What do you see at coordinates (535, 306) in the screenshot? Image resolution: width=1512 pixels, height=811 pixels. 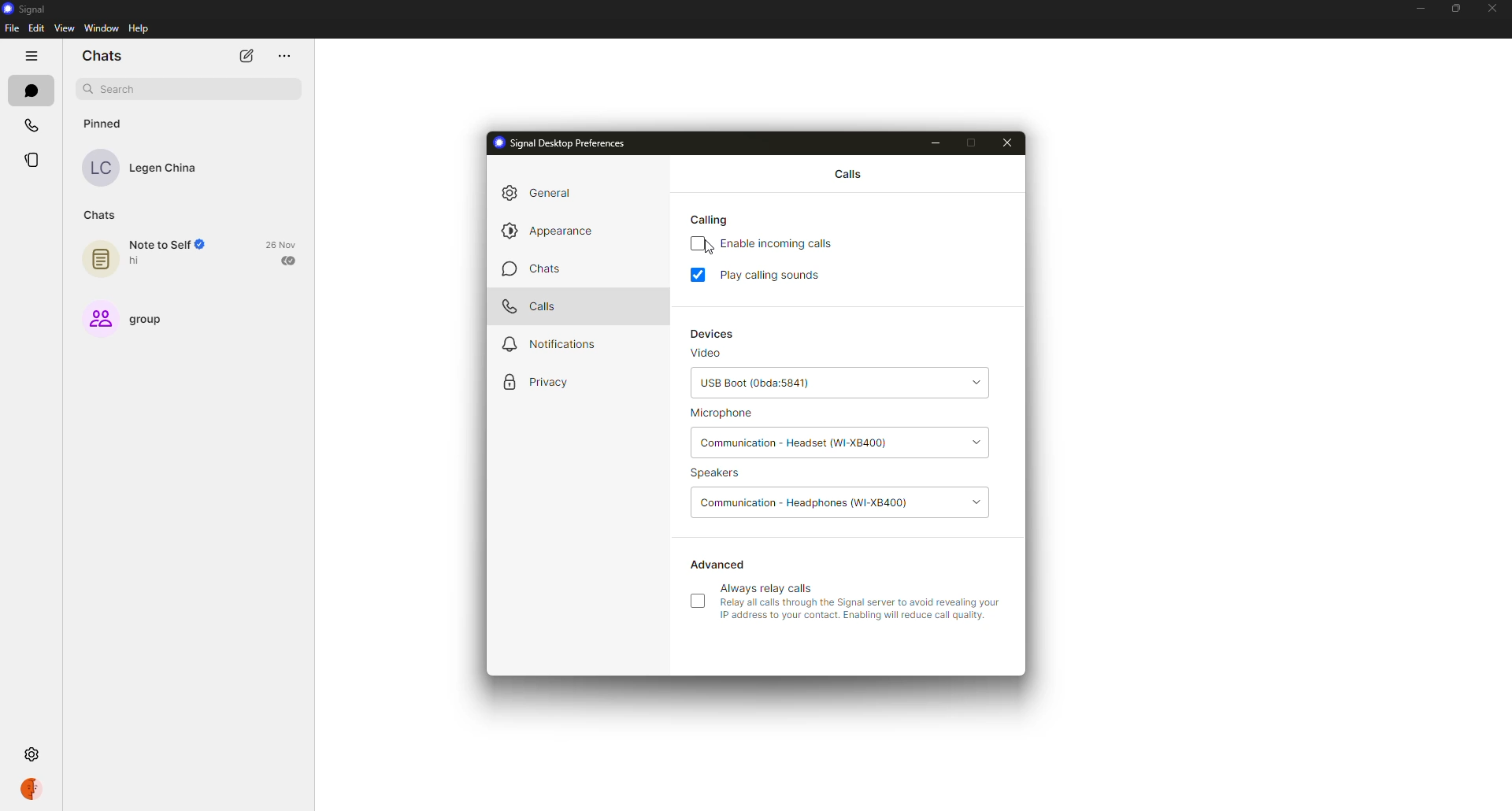 I see `calls` at bounding box center [535, 306].